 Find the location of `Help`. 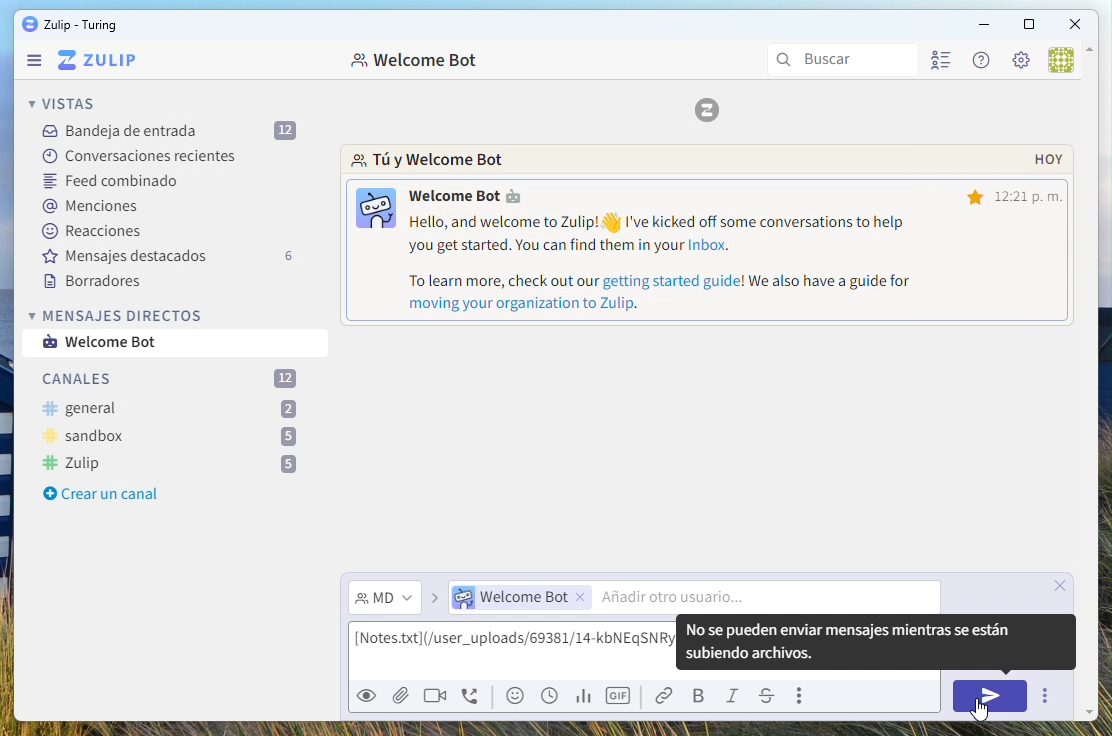

Help is located at coordinates (978, 60).